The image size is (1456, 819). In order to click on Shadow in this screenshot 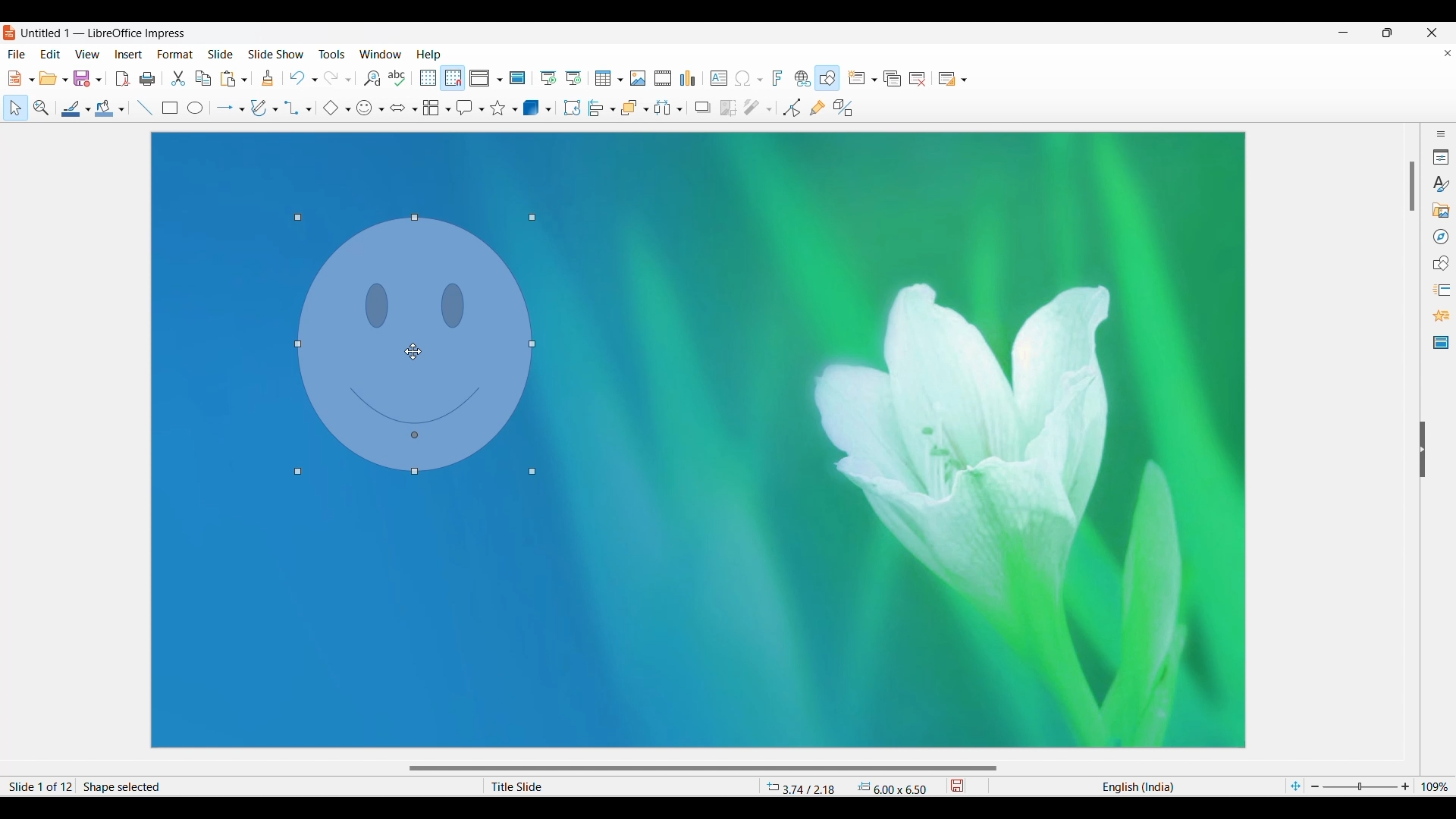, I will do `click(703, 107)`.